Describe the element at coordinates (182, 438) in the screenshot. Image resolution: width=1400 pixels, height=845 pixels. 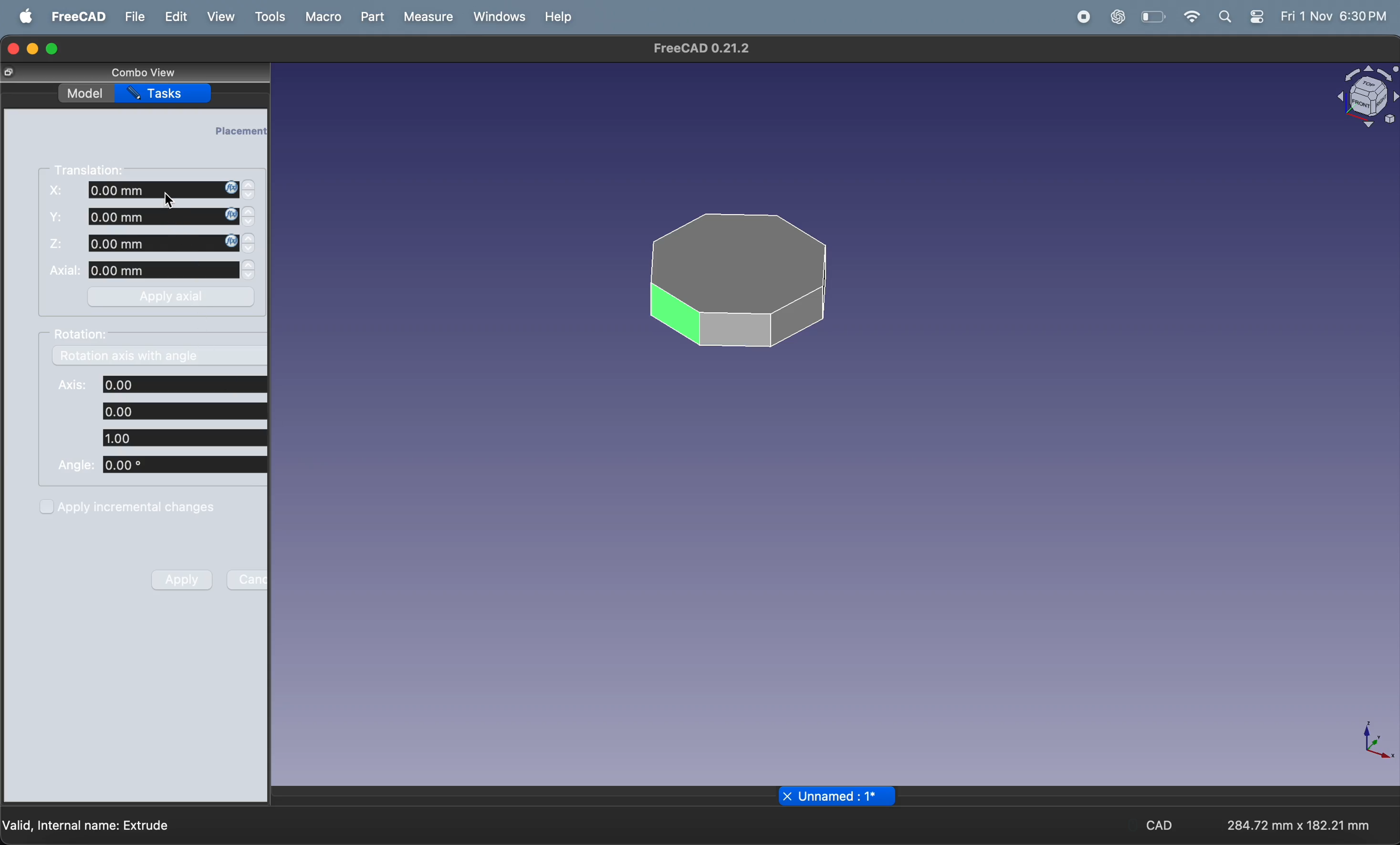
I see `1.00` at that location.